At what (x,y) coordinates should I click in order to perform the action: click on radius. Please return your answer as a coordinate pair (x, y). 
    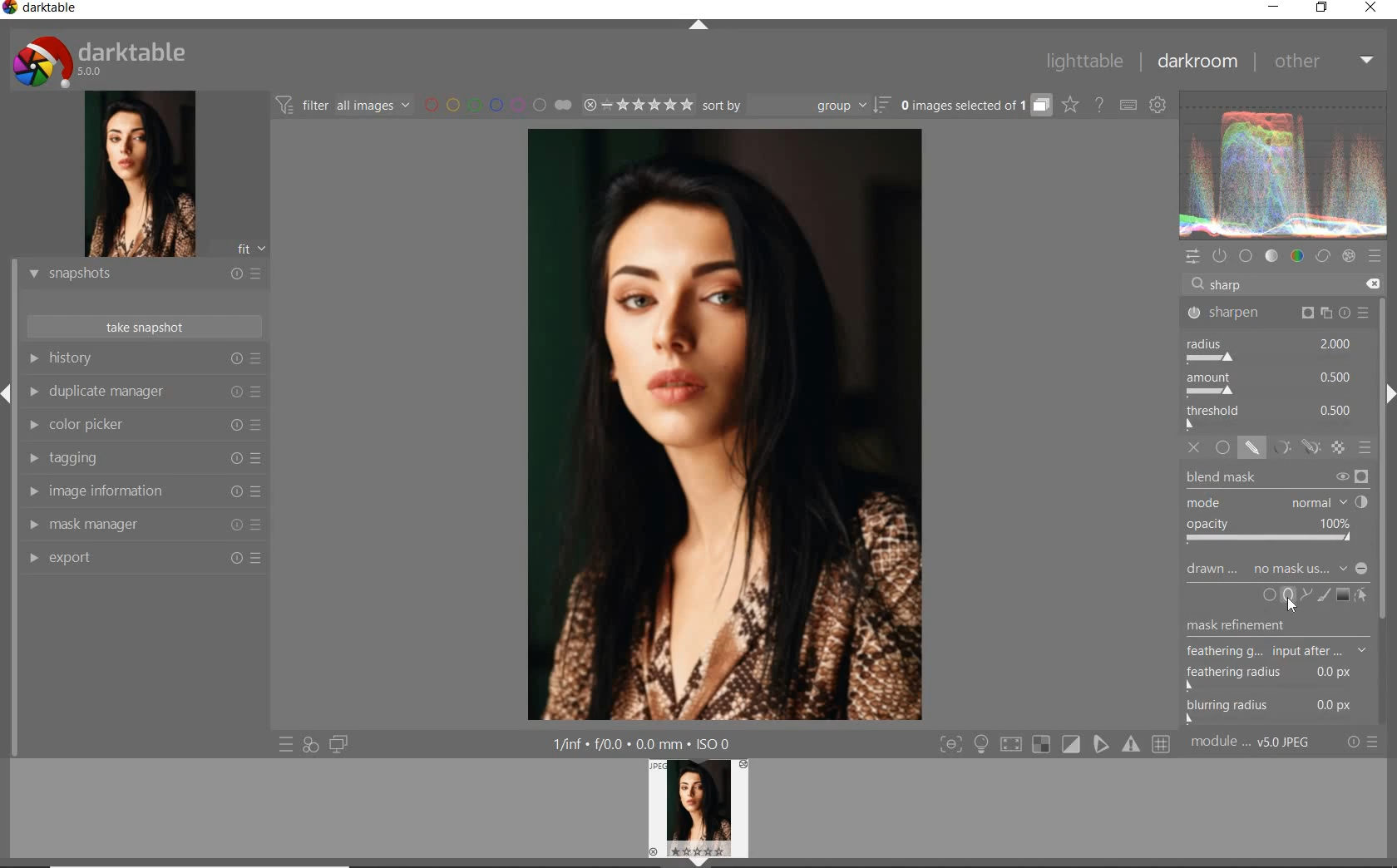
    Looking at the image, I should click on (1275, 350).